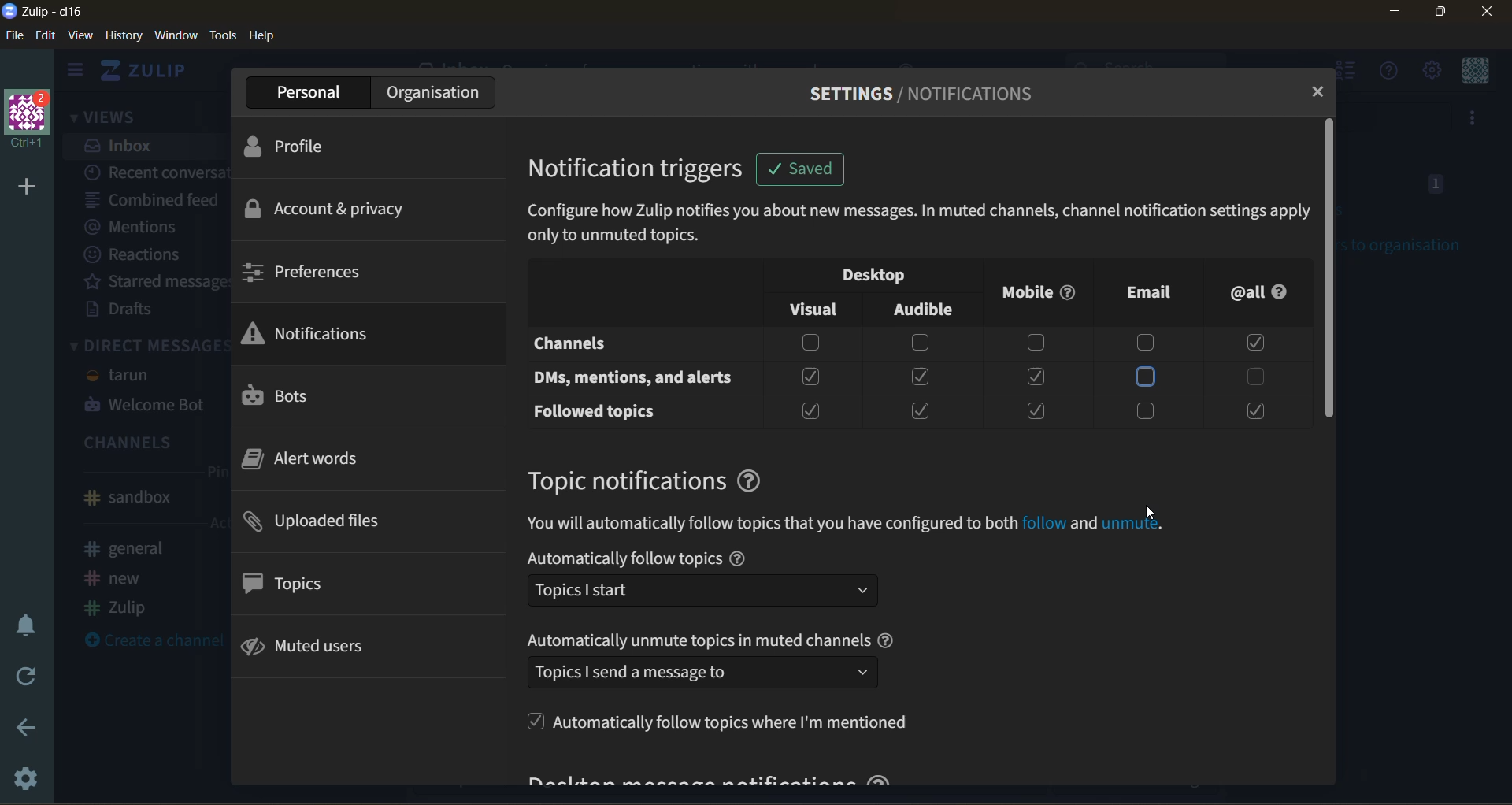 The width and height of the screenshot is (1512, 805). What do you see at coordinates (811, 376) in the screenshot?
I see `checkbox` at bounding box center [811, 376].